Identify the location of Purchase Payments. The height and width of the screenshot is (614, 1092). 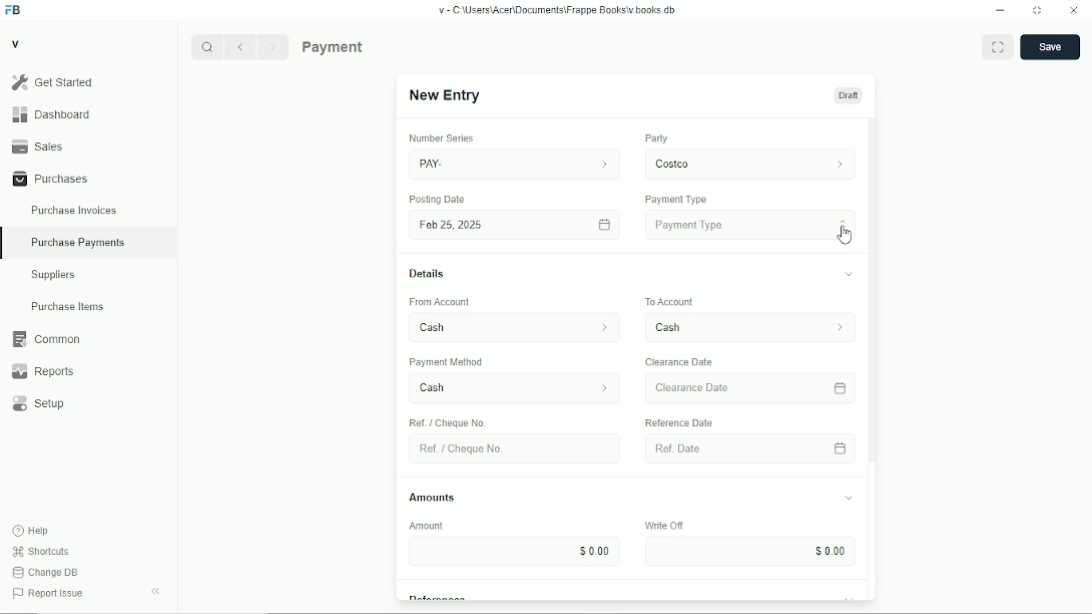
(372, 46).